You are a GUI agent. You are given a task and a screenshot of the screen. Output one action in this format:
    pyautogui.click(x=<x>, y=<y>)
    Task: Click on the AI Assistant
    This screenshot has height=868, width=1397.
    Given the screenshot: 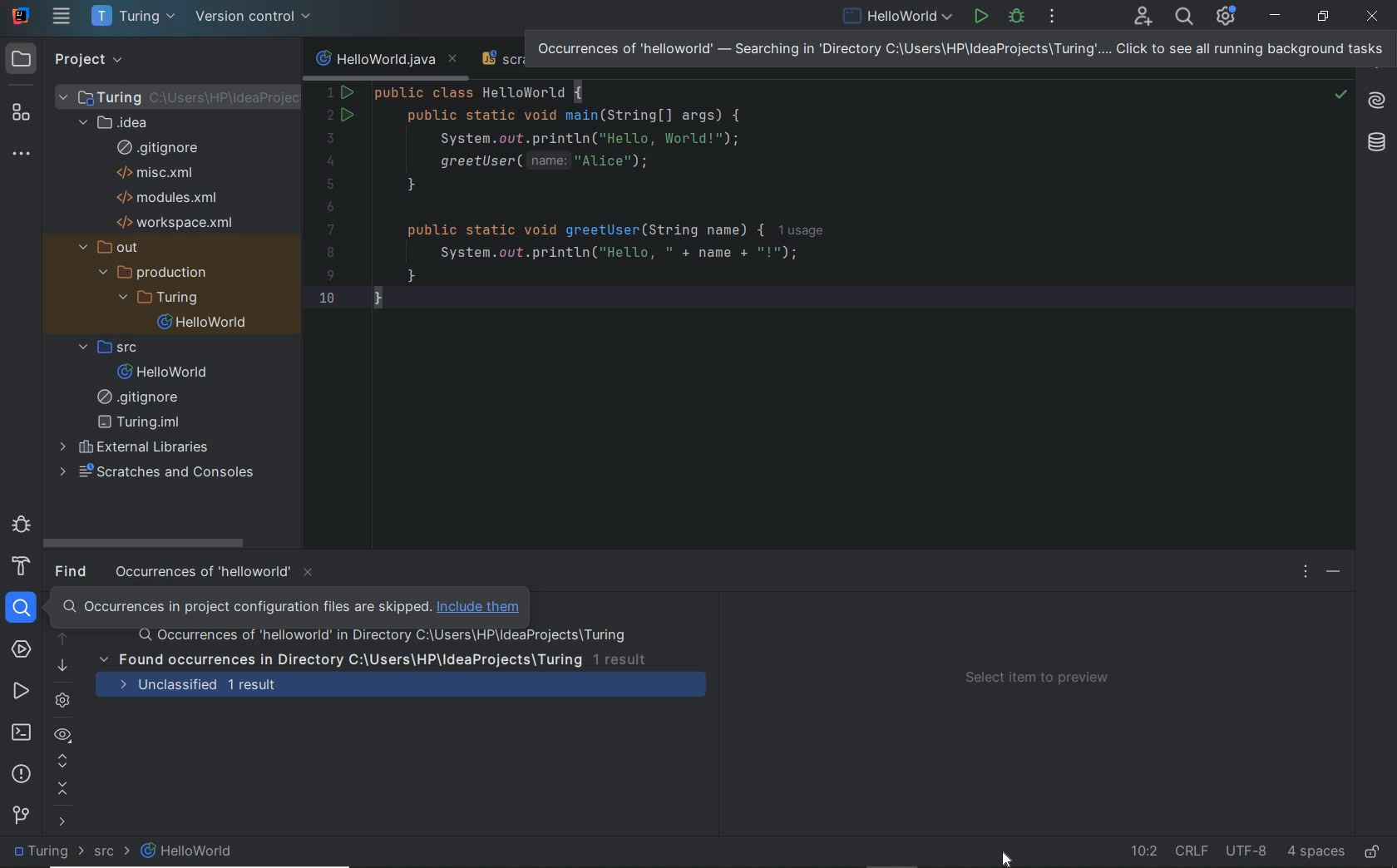 What is the action you would take?
    pyautogui.click(x=1375, y=101)
    